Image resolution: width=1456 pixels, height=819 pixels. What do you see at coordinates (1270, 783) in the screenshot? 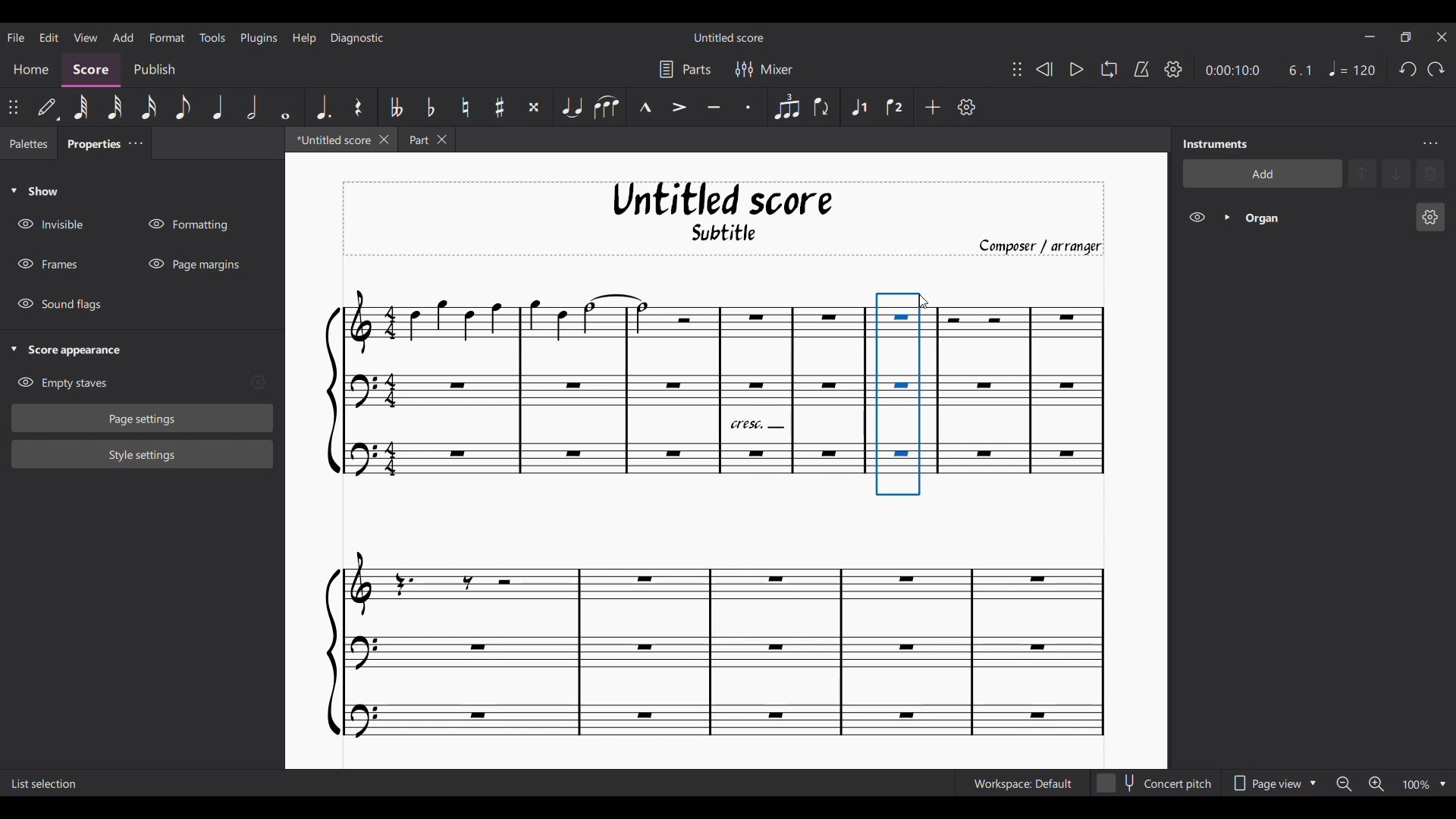
I see `Page view options` at bounding box center [1270, 783].